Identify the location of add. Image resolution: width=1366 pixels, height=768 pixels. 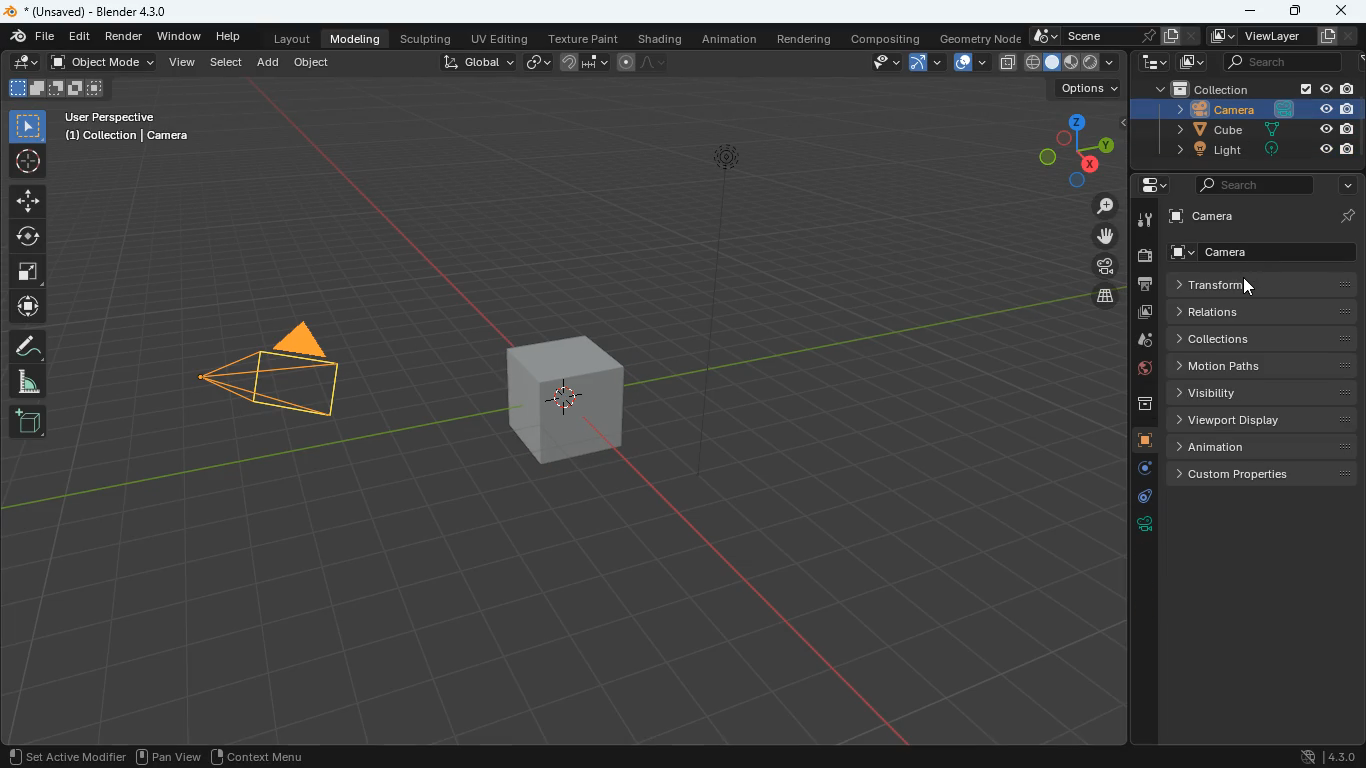
(267, 64).